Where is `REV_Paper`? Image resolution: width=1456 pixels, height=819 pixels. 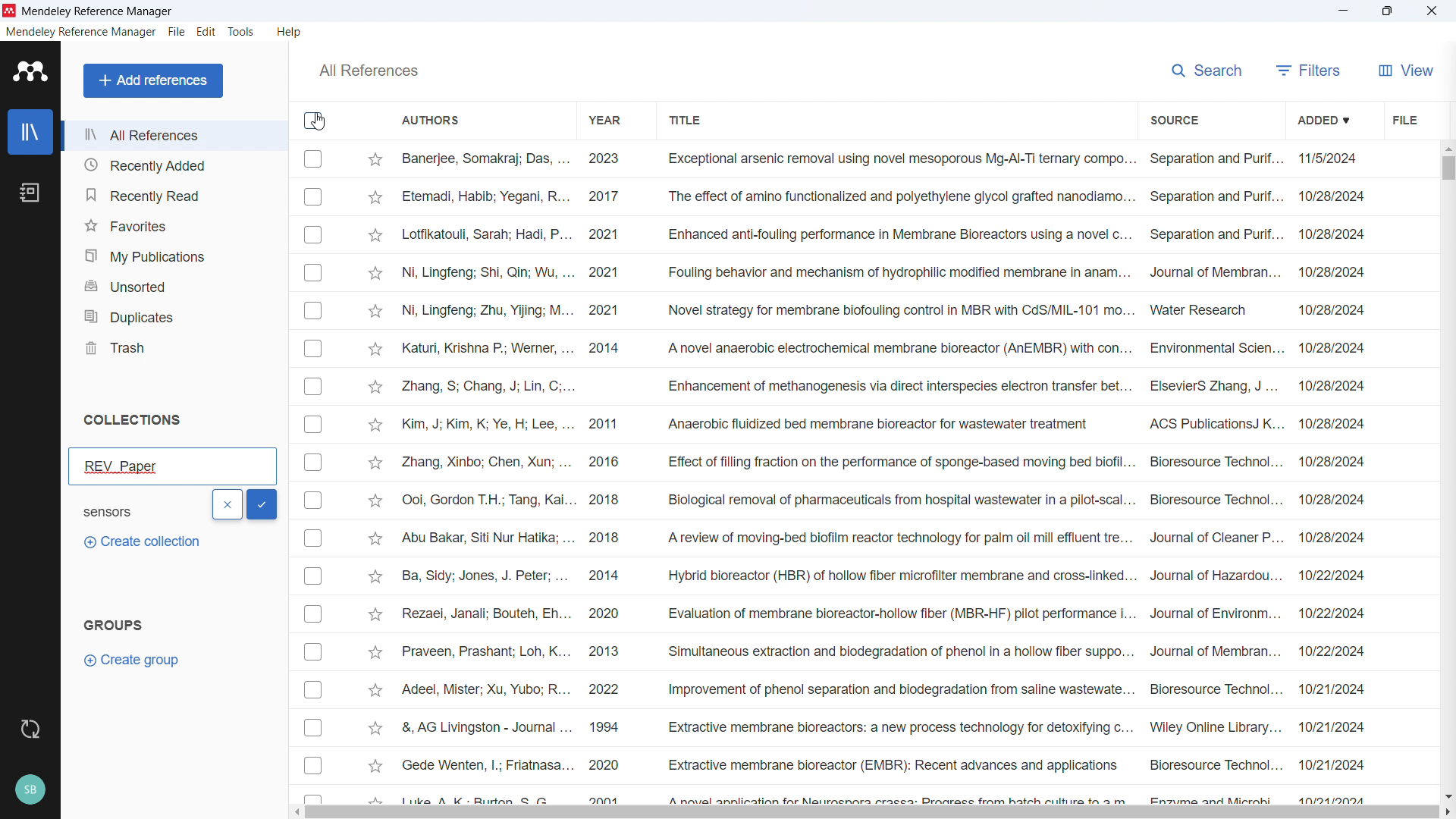 REV_Paper is located at coordinates (172, 466).